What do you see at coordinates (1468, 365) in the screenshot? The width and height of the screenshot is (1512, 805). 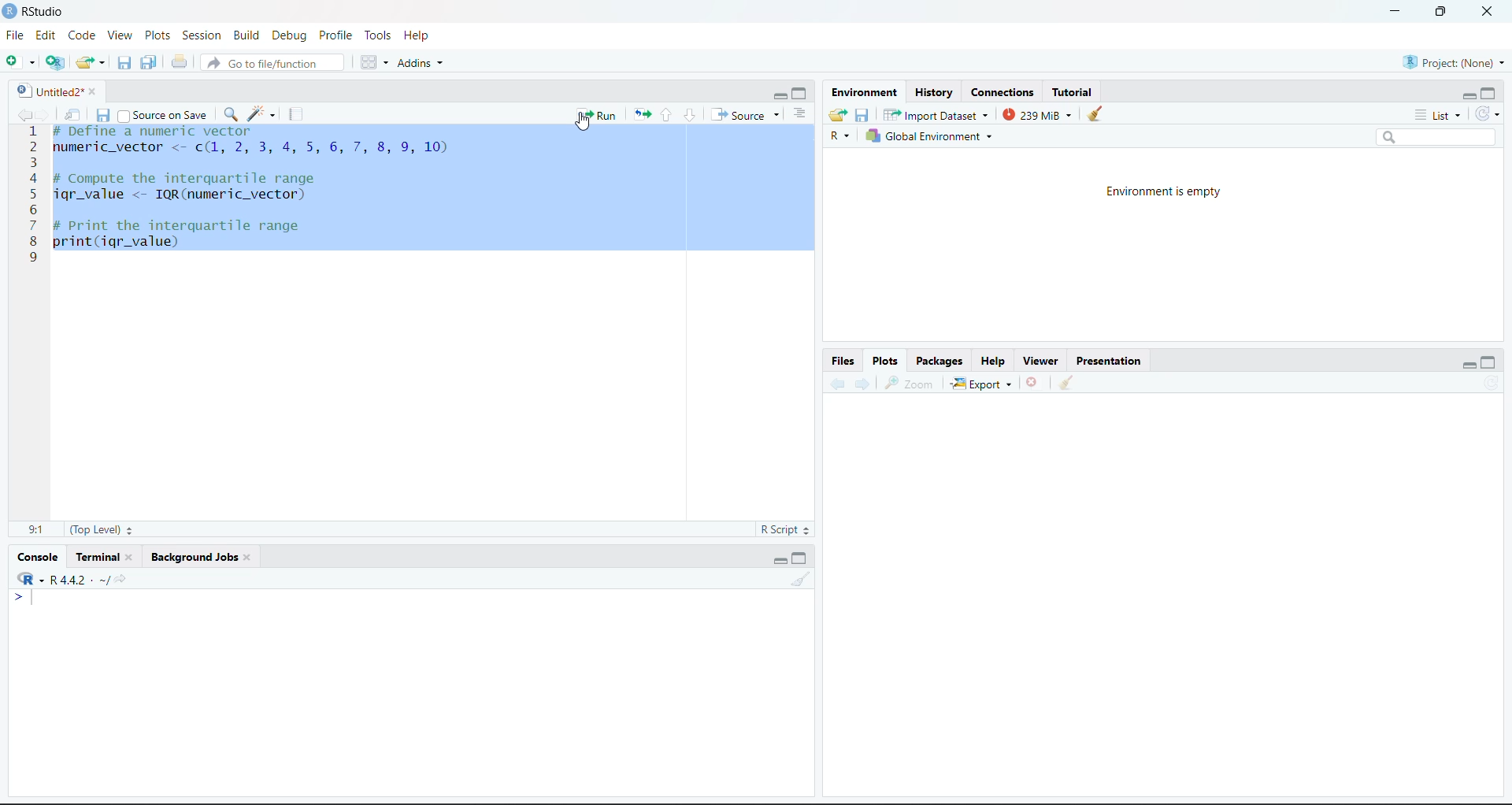 I see `Minimize` at bounding box center [1468, 365].